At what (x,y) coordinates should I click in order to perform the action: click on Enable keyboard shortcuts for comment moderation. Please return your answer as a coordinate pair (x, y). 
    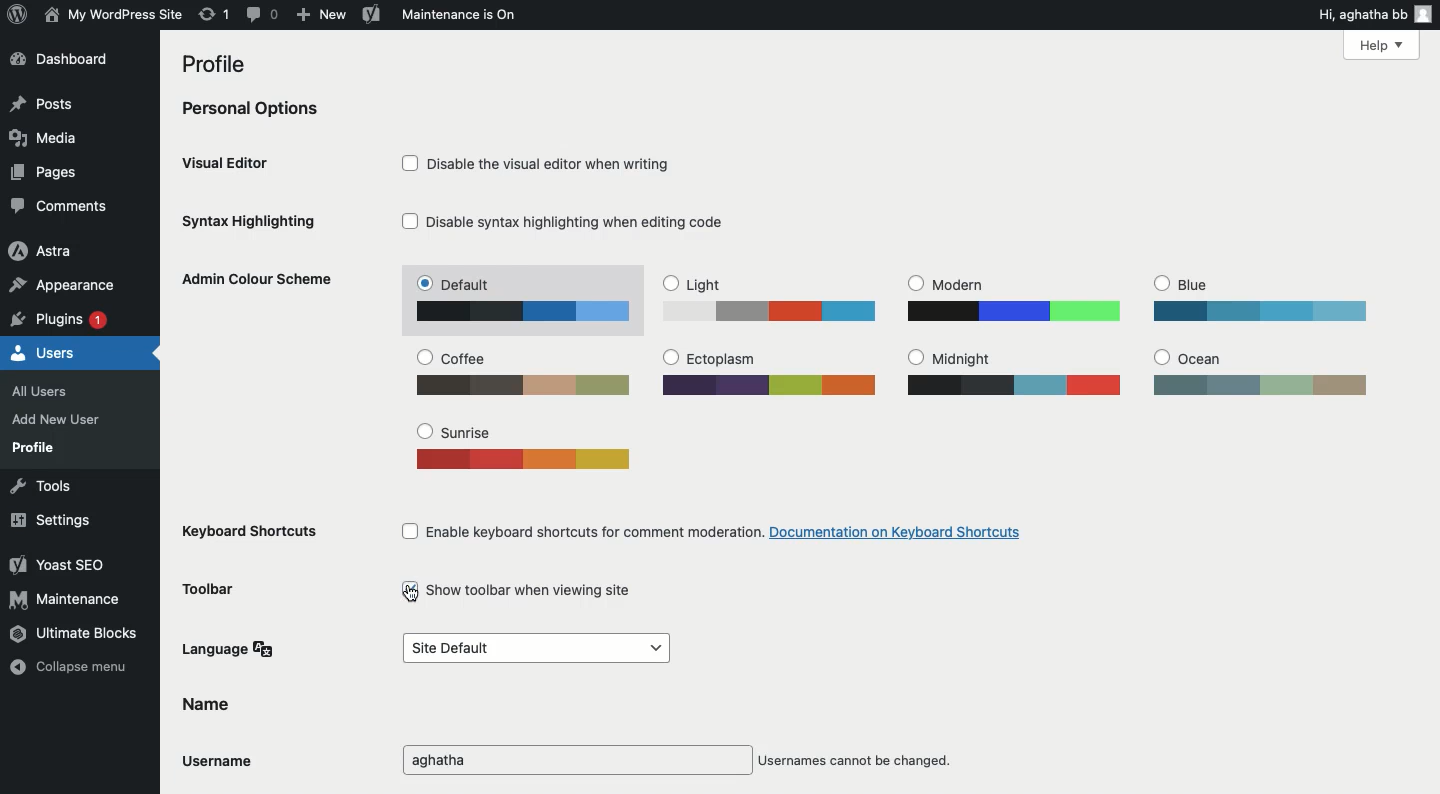
    Looking at the image, I should click on (581, 533).